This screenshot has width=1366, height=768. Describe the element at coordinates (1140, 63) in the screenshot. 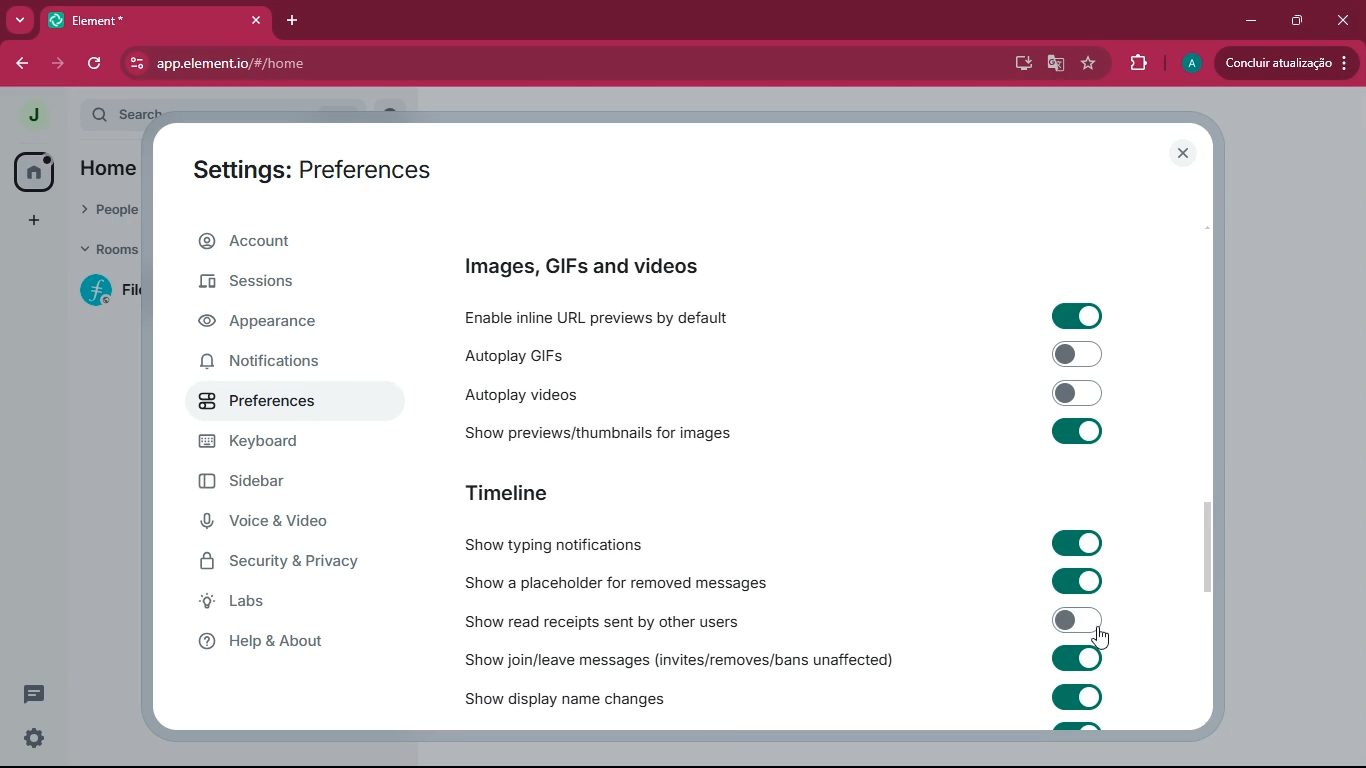

I see `extensions` at that location.